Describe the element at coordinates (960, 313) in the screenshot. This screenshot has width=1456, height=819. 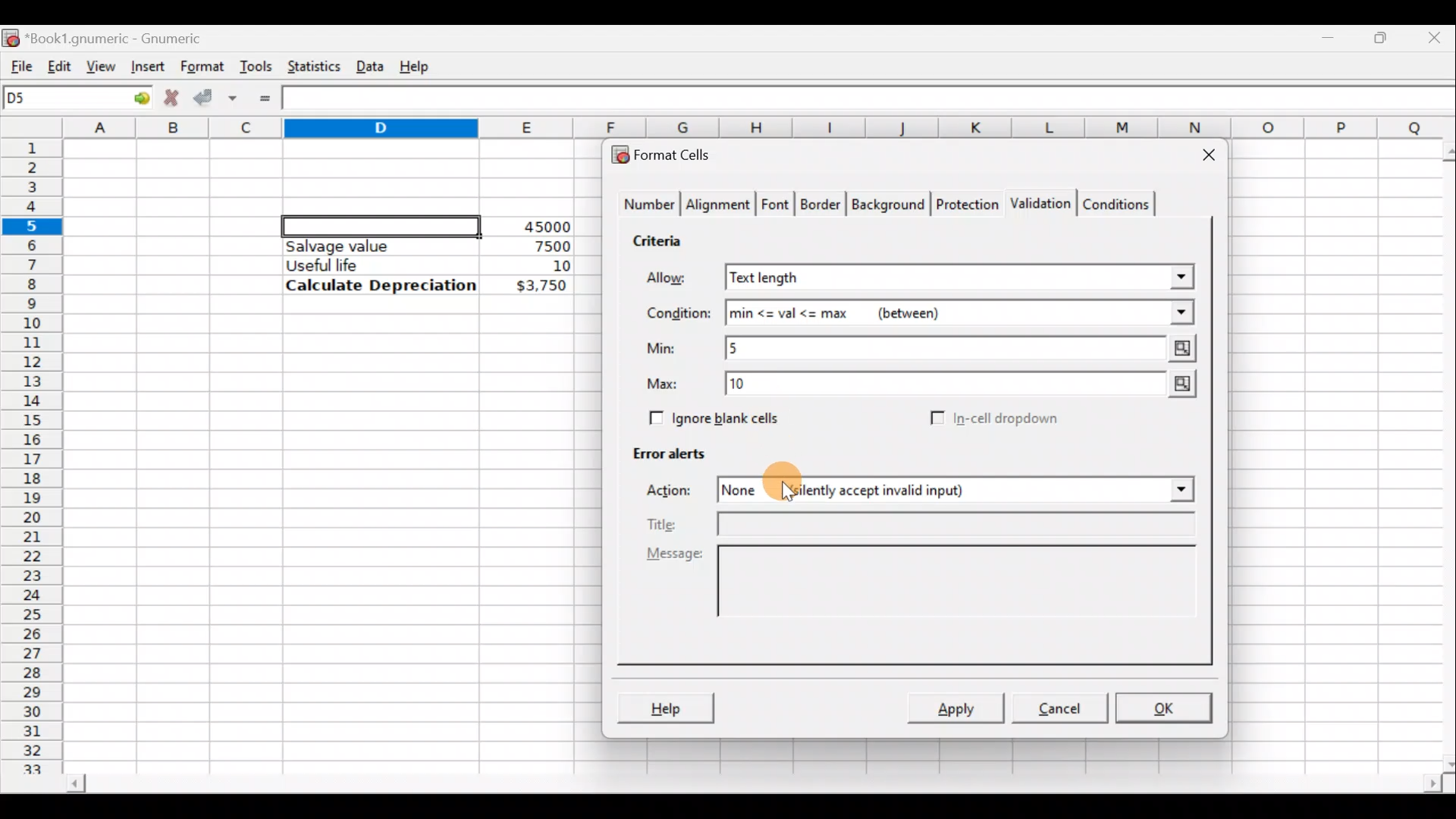
I see `min<=val<=max (between)` at that location.